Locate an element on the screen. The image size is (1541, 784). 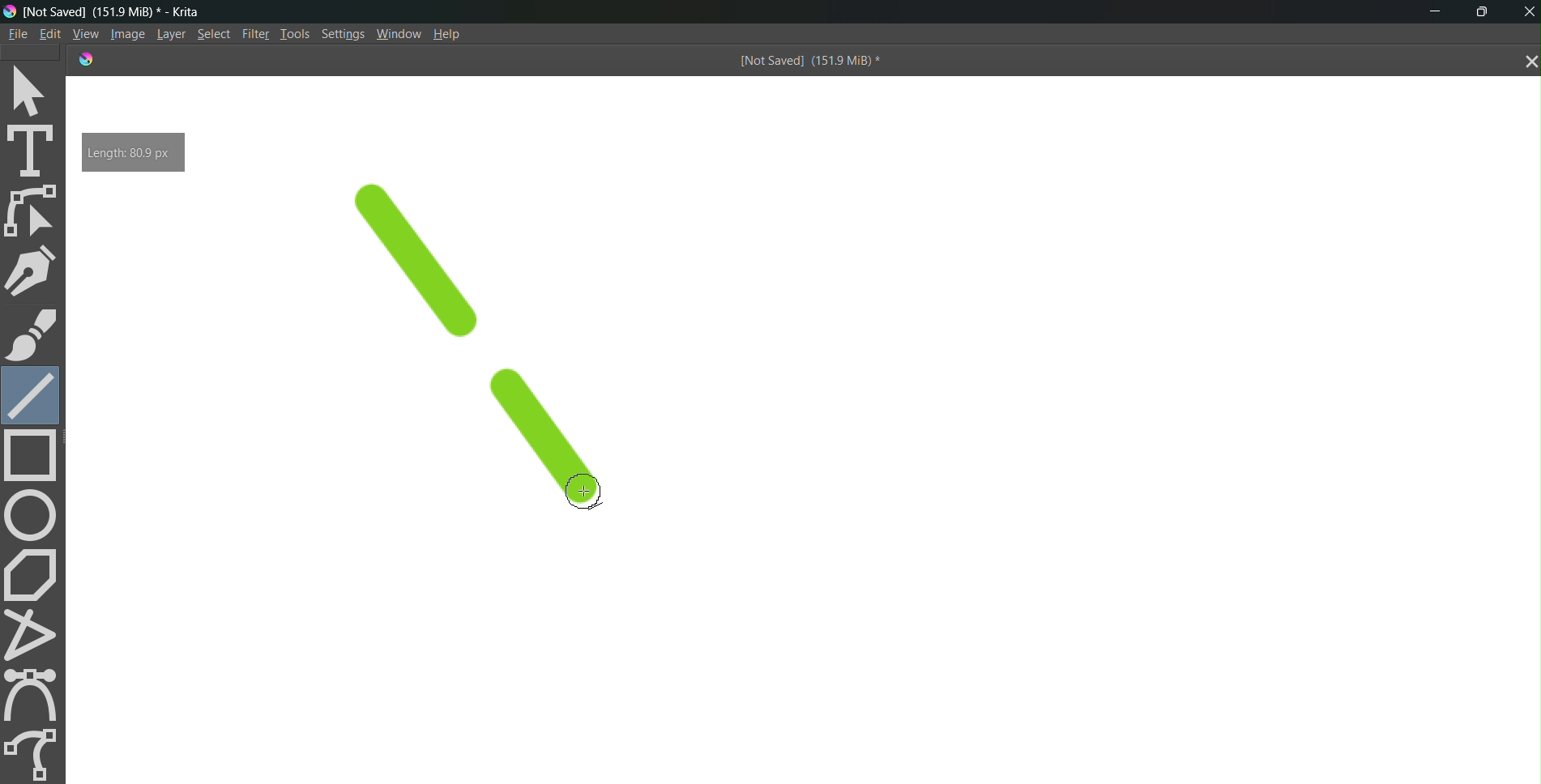
Edit is located at coordinates (50, 34).